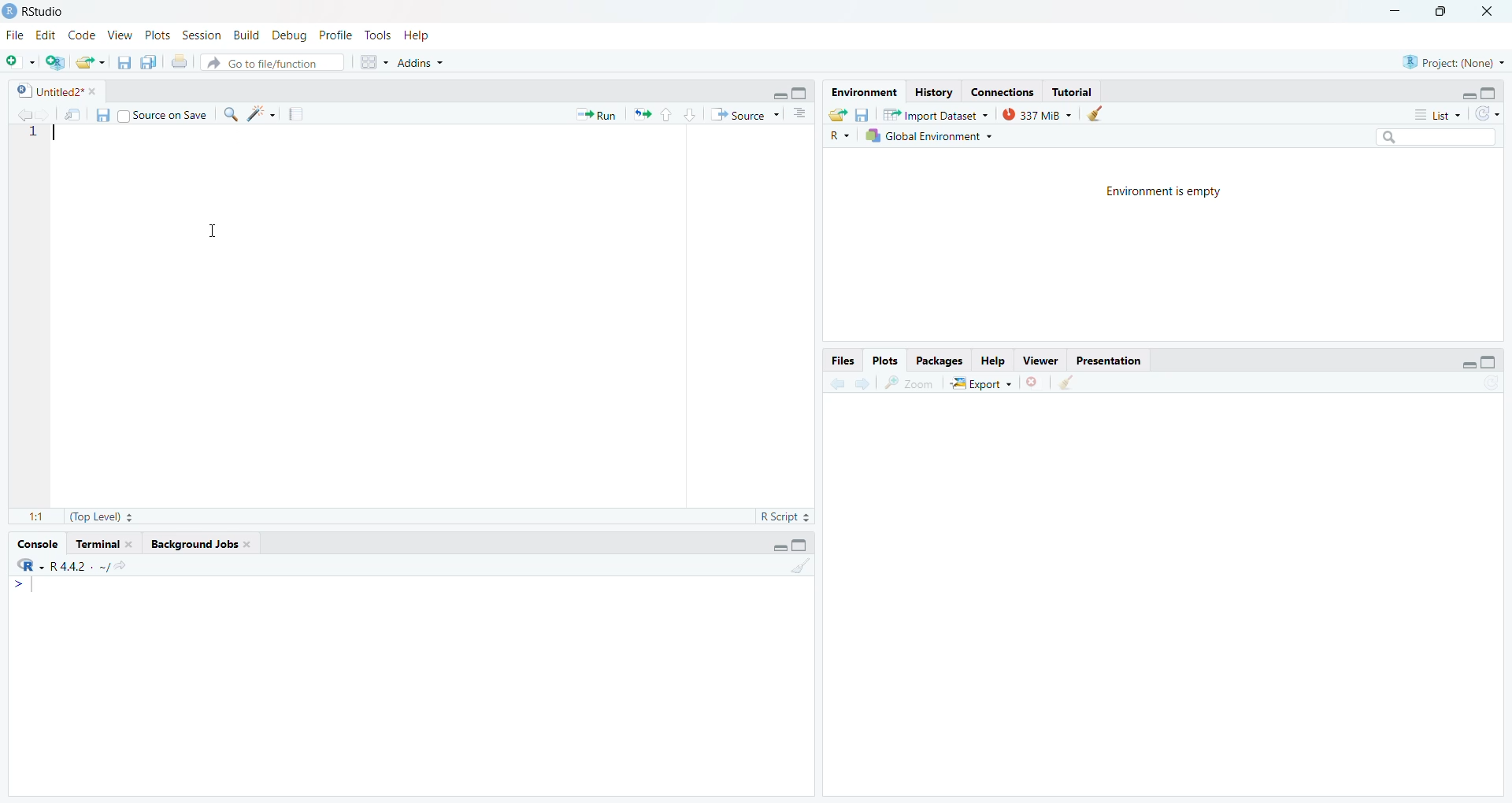  I want to click on Terminal, so click(106, 544).